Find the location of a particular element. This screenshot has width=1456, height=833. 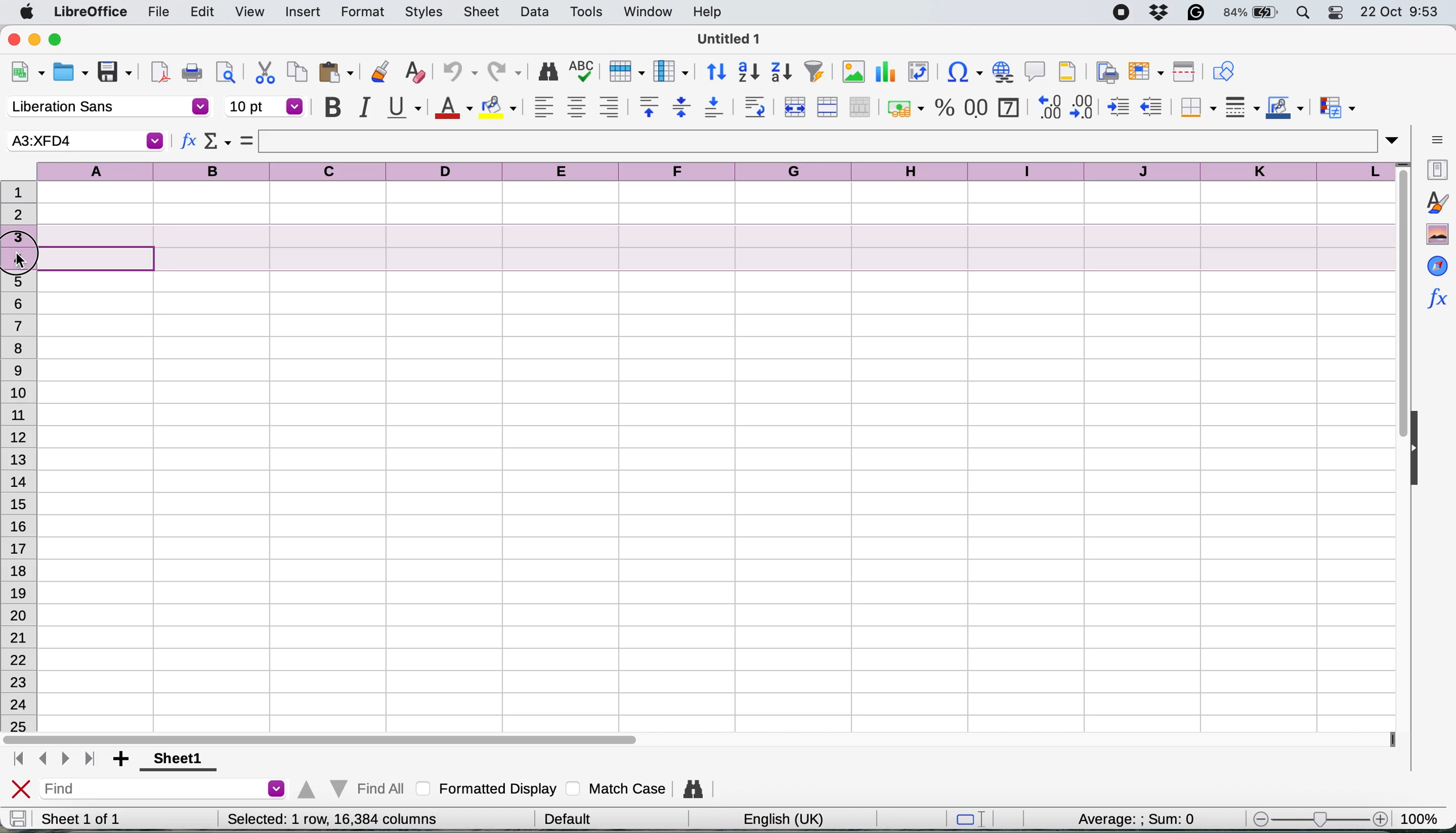

match case is located at coordinates (616, 788).